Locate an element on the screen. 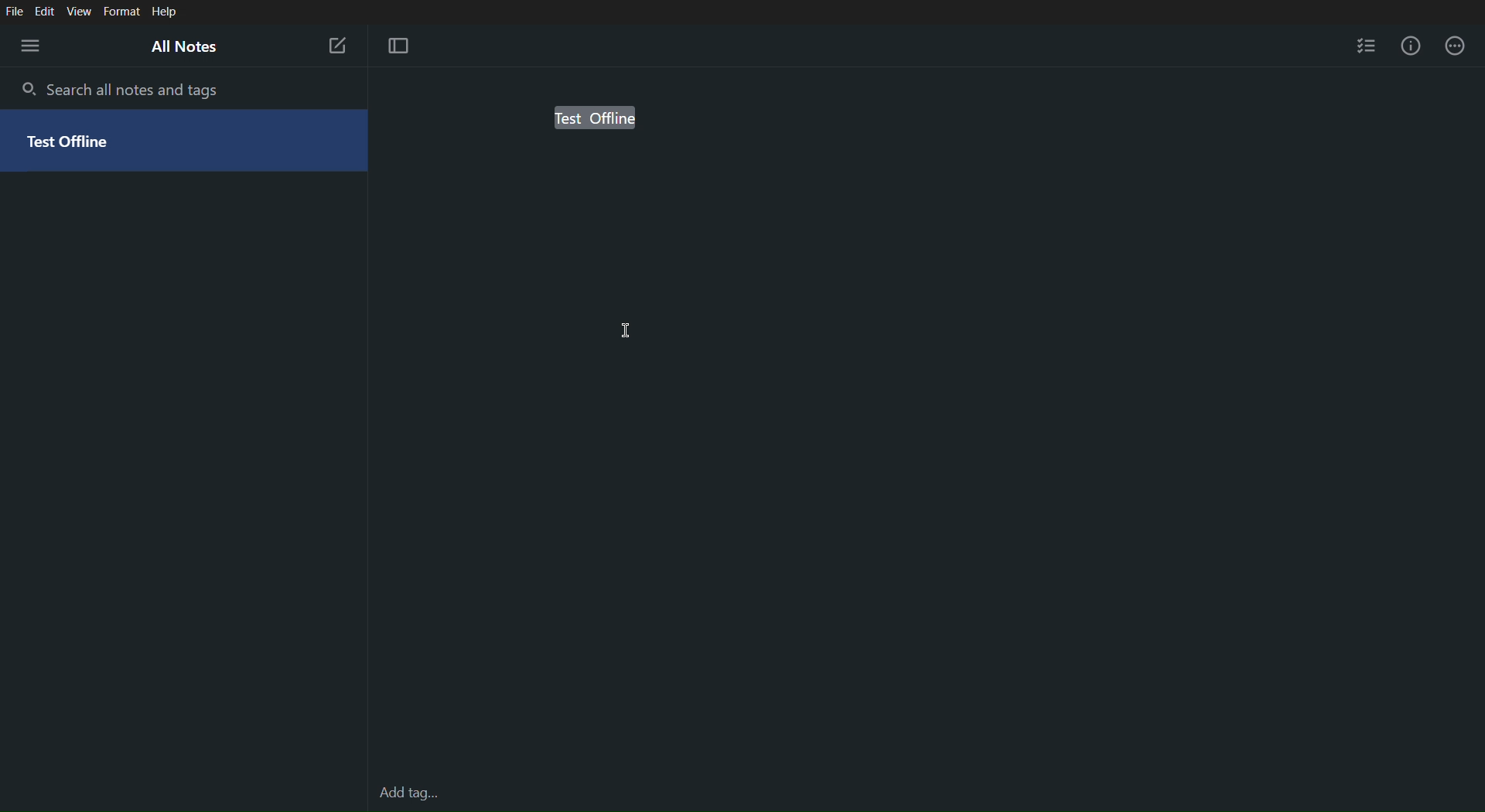 This screenshot has width=1485, height=812. Edit is located at coordinates (46, 10).